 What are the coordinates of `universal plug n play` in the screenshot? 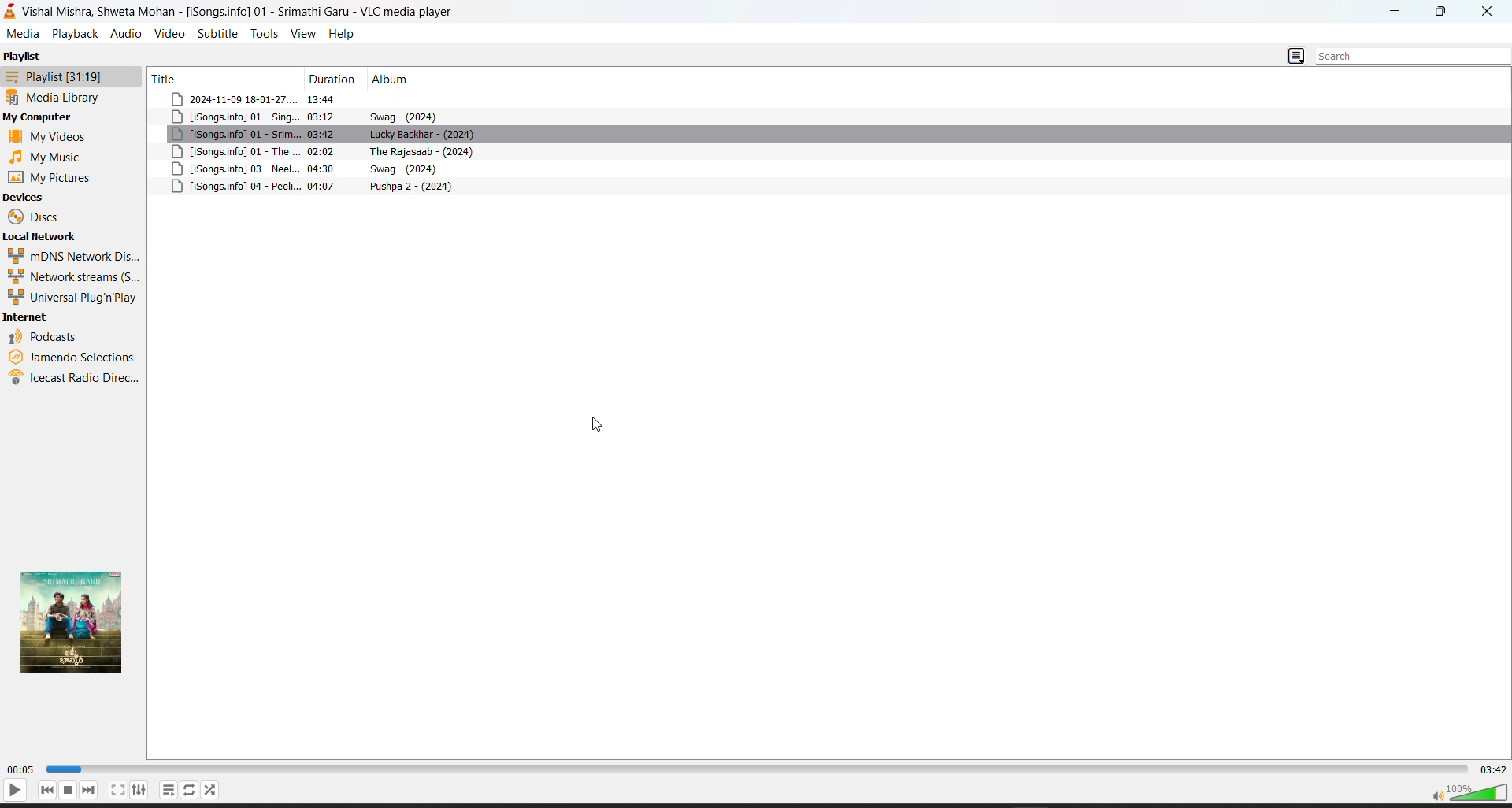 It's located at (73, 297).